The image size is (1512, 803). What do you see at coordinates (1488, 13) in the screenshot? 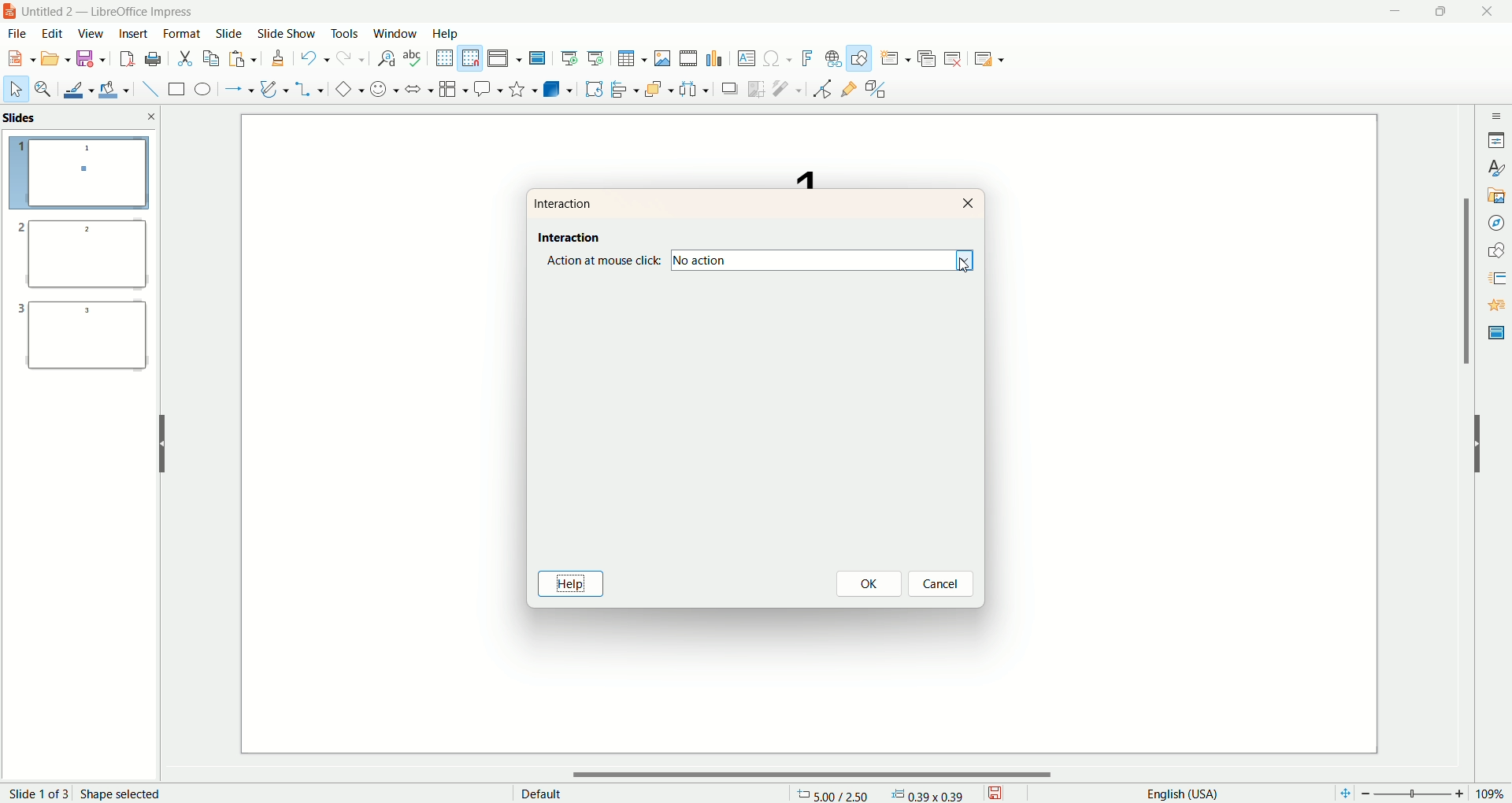
I see `close` at bounding box center [1488, 13].